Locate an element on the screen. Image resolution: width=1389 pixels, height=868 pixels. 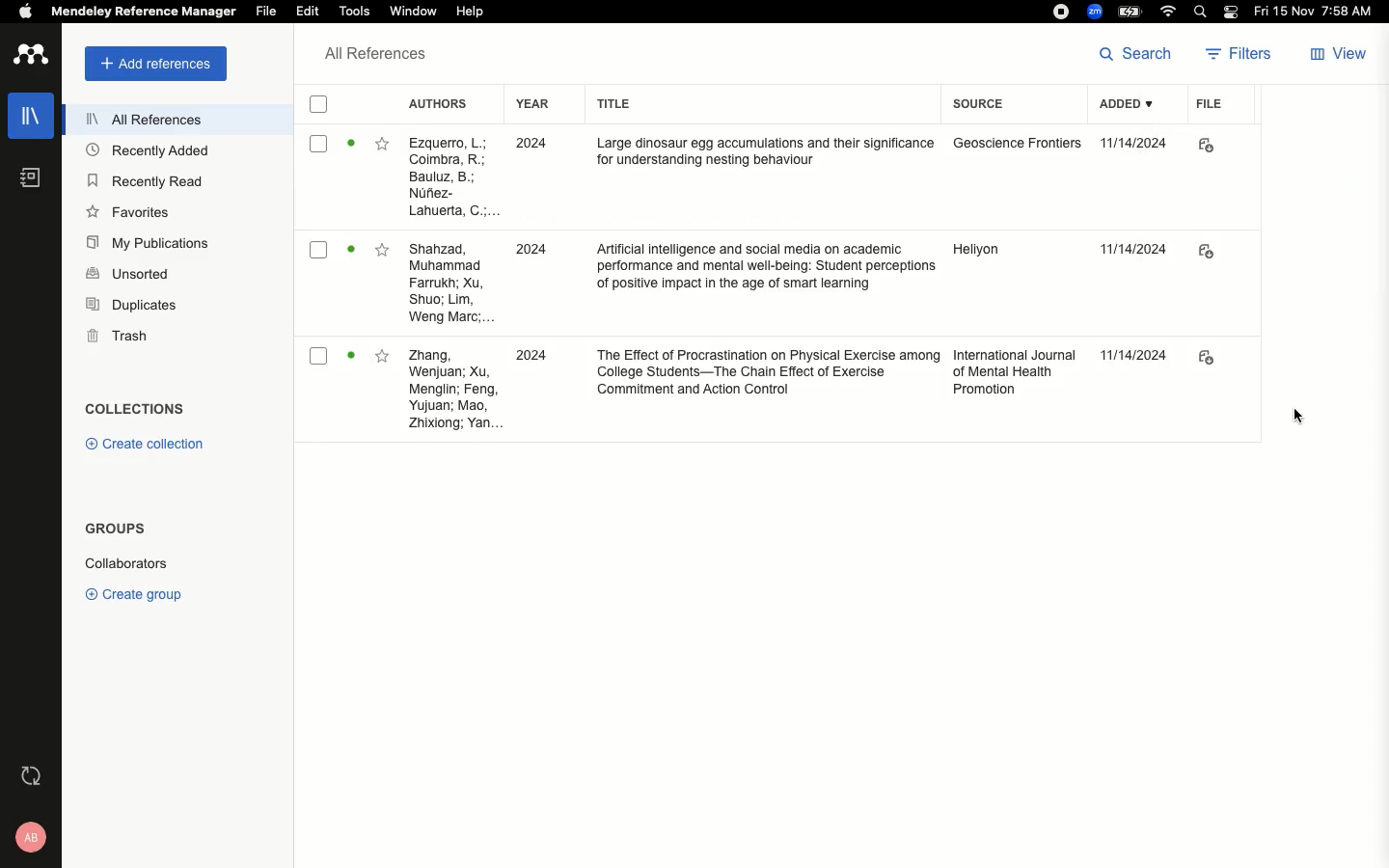
pdf is located at coordinates (1205, 357).